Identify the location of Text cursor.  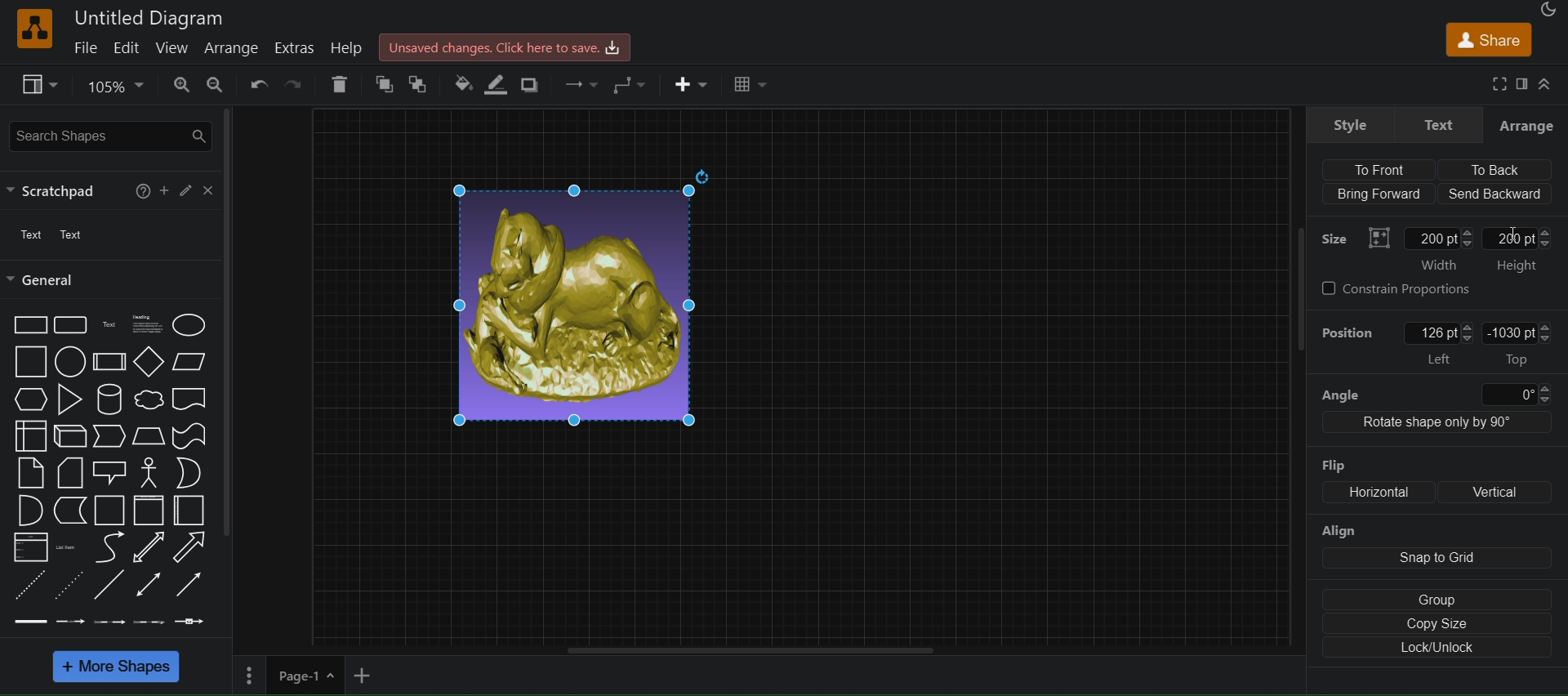
(1512, 227).